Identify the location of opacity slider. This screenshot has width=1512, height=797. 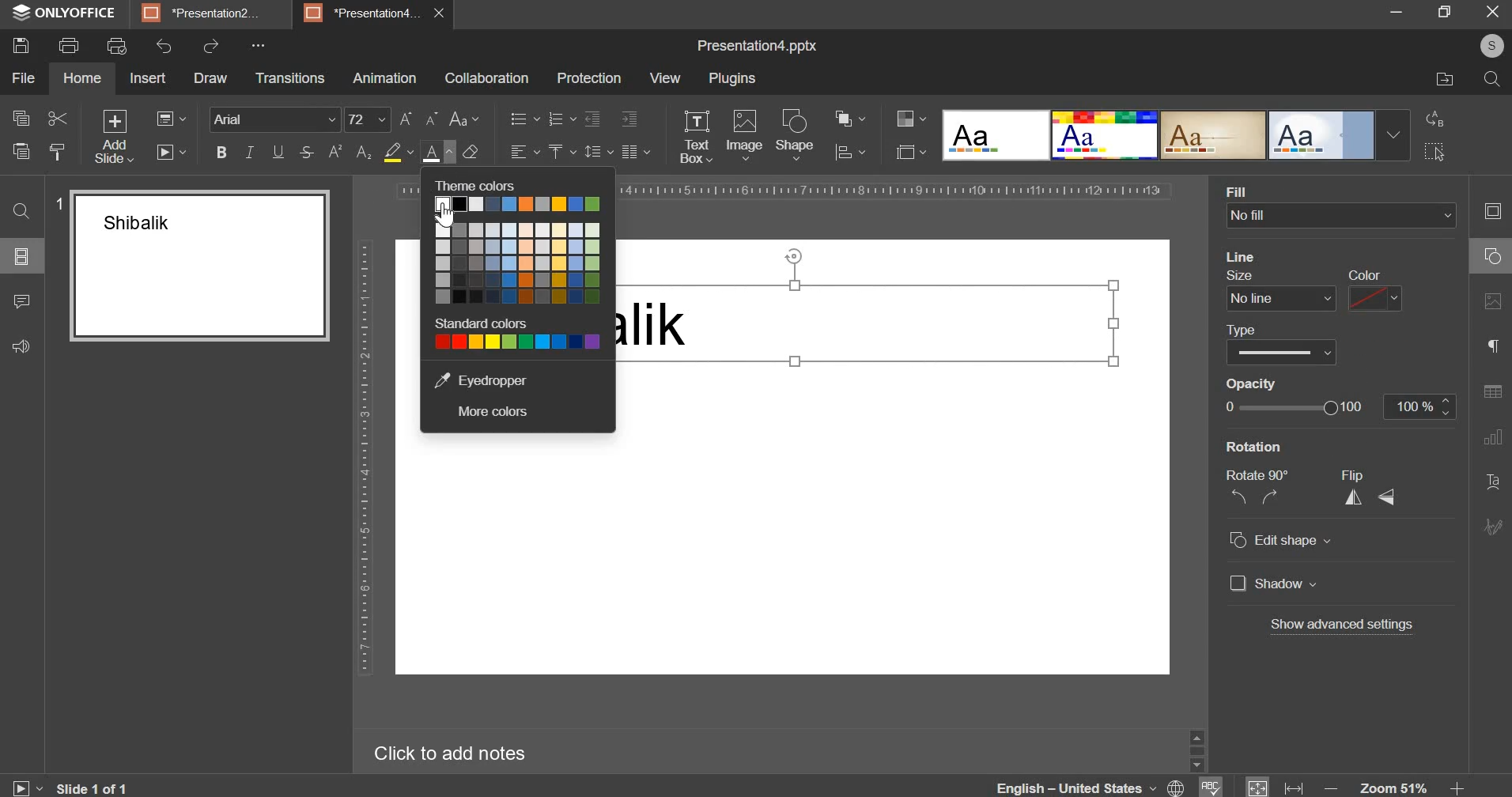
(1292, 408).